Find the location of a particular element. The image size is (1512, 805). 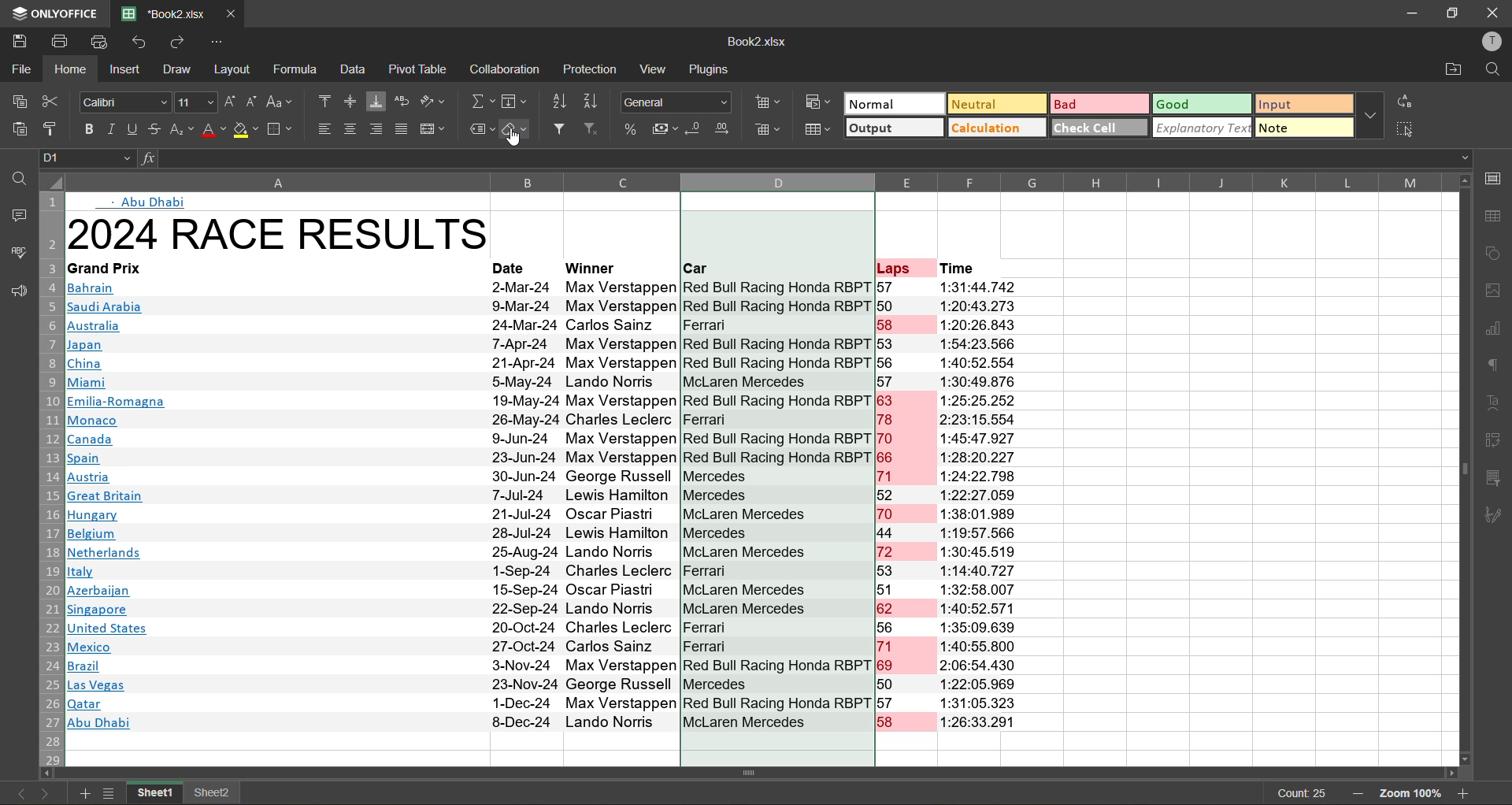

find is located at coordinates (19, 176).